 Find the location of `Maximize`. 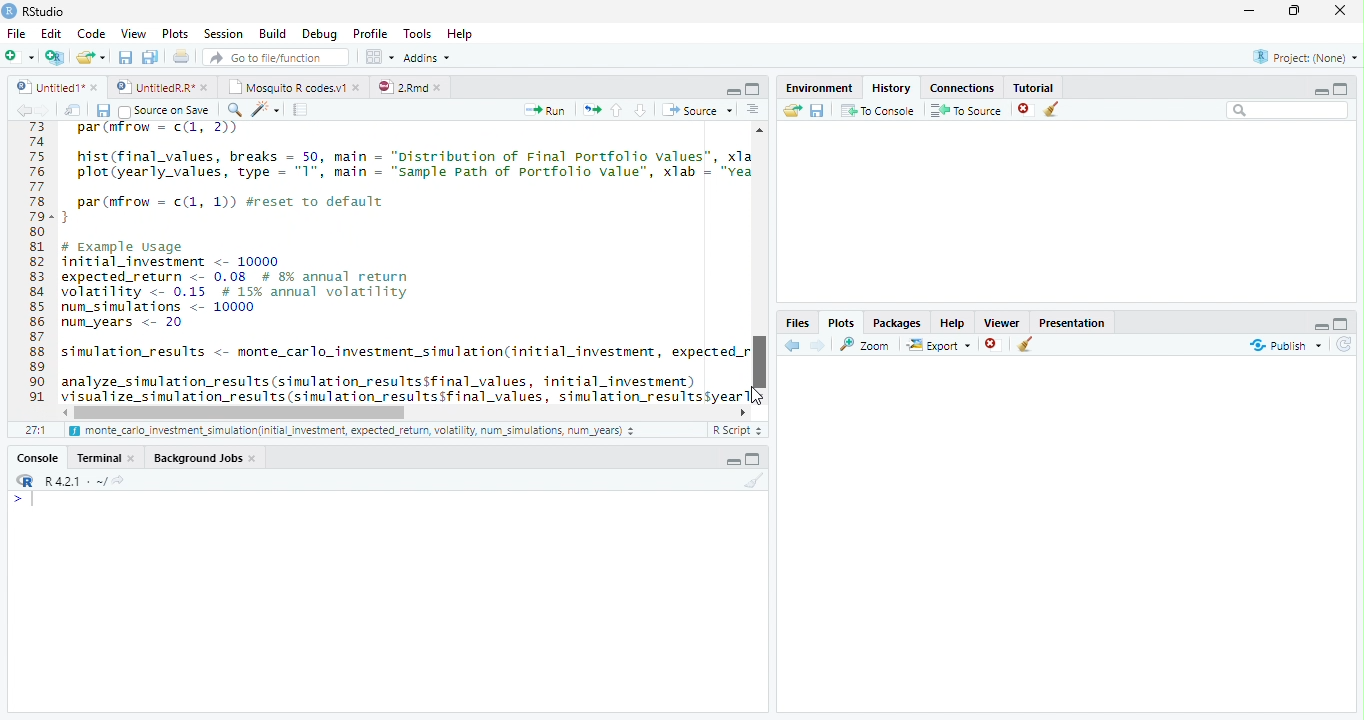

Maximize is located at coordinates (1299, 12).